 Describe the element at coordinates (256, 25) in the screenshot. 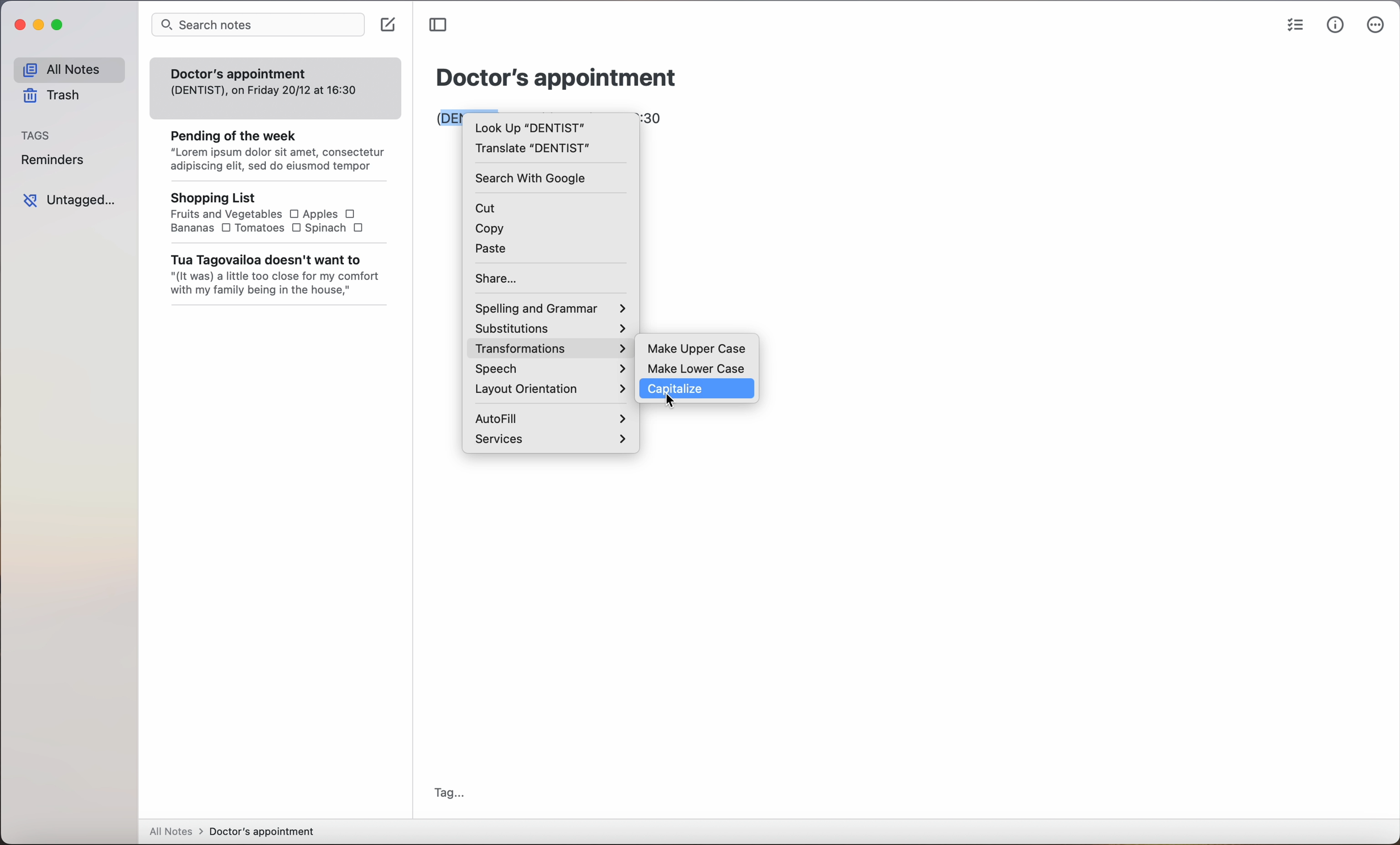

I see `search notes` at that location.